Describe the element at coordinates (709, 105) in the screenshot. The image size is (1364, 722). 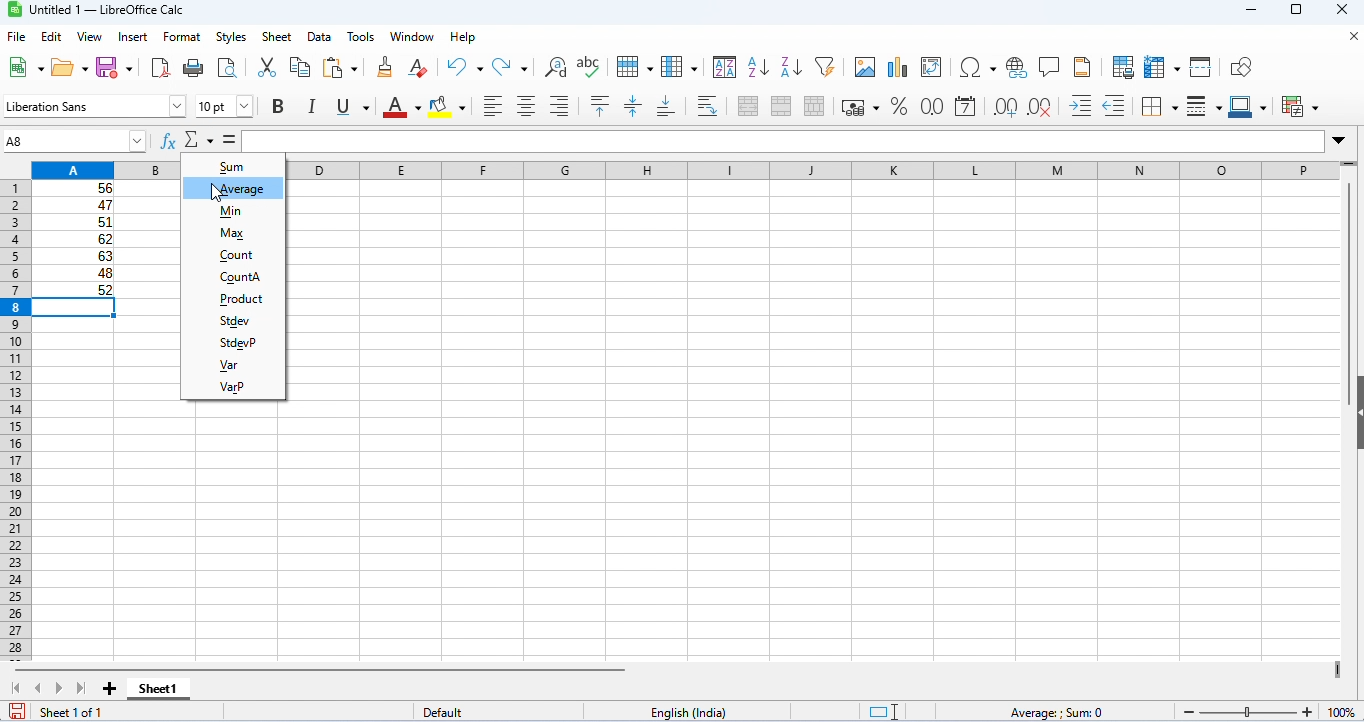
I see `wrap text` at that location.